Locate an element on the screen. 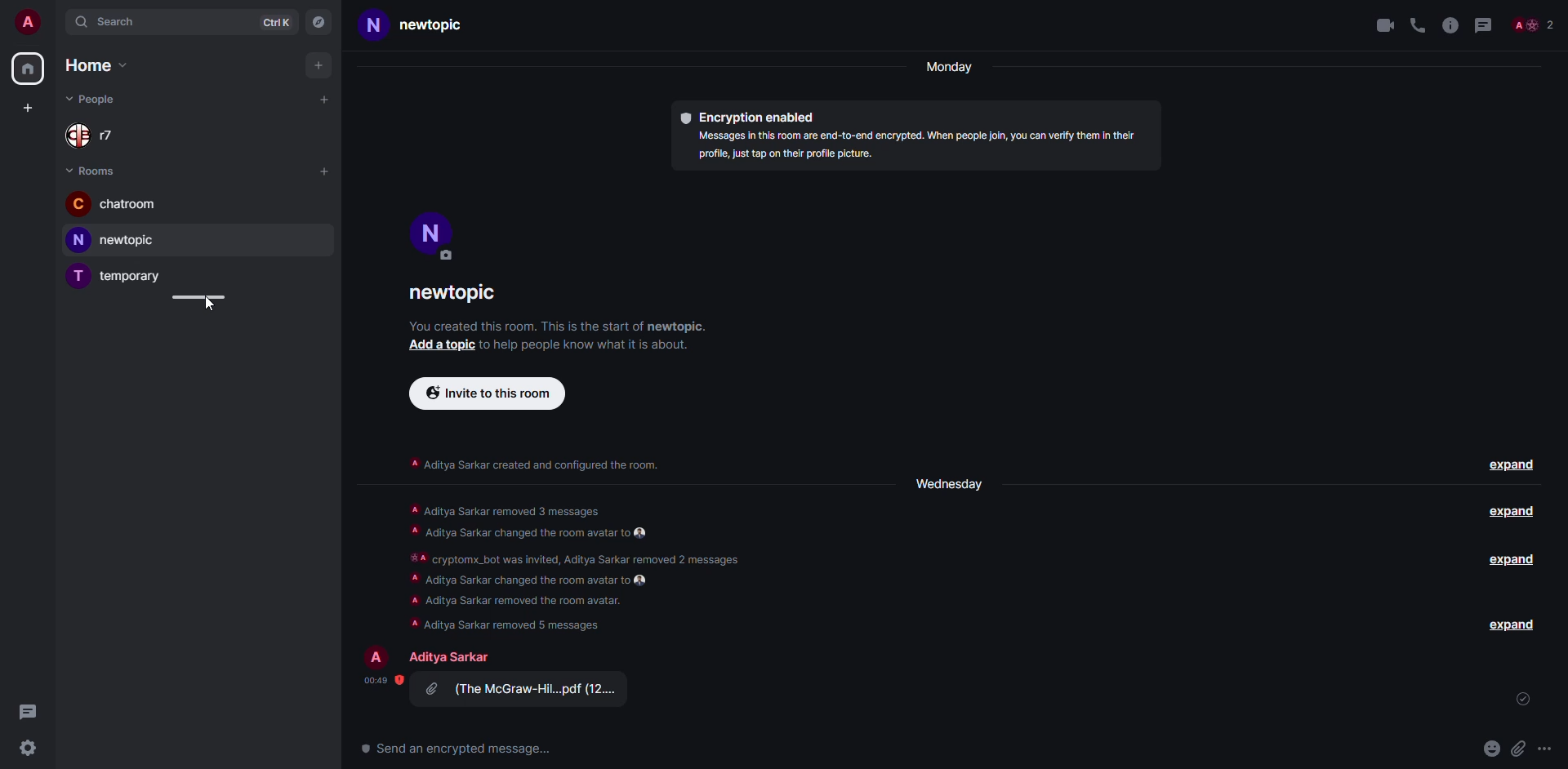  info is located at coordinates (1450, 24).